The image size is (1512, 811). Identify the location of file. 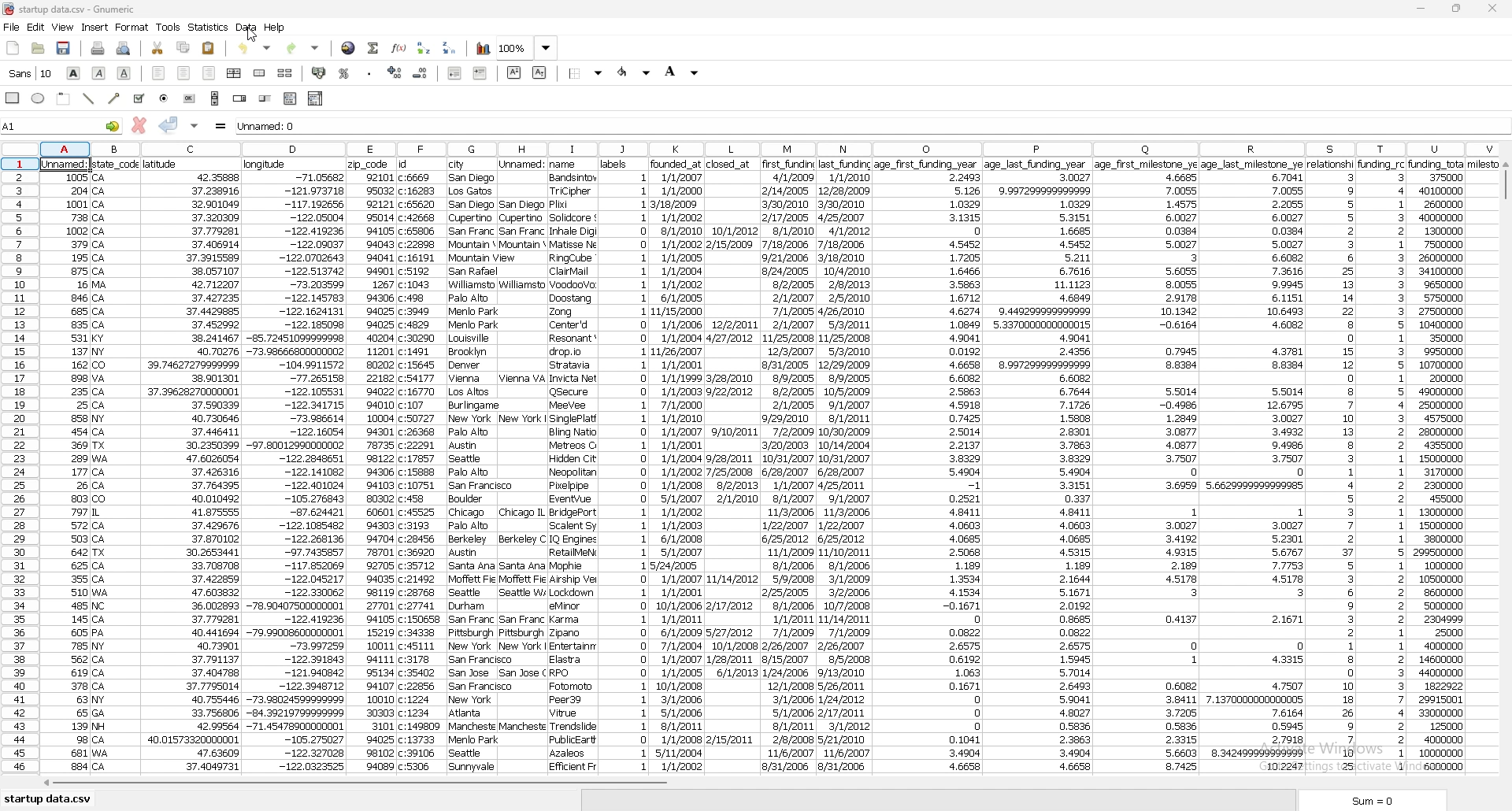
(12, 28).